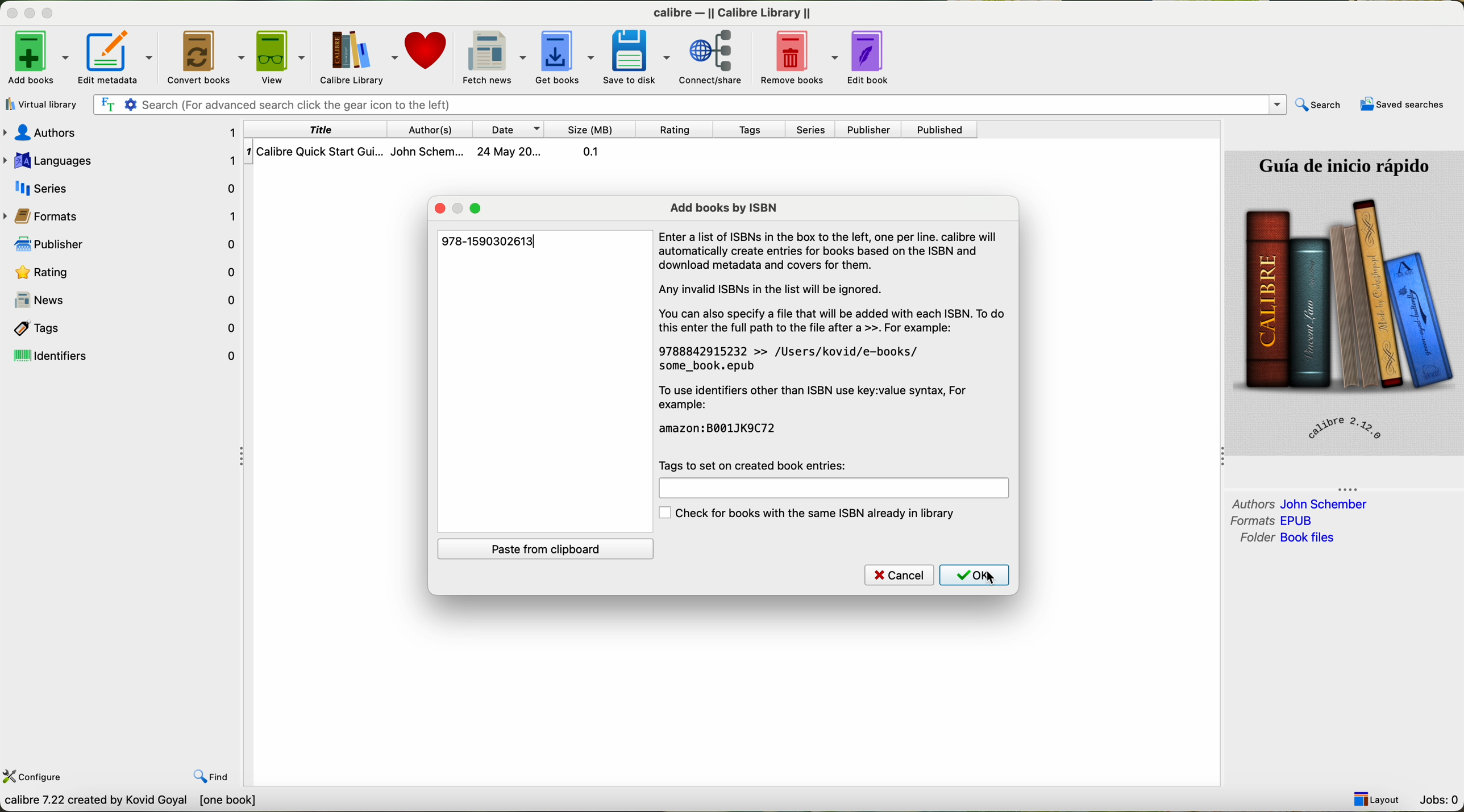 The image size is (1464, 812). What do you see at coordinates (135, 802) in the screenshot?
I see `Callibre 7.22 created by Kavid Goyal [0 books]` at bounding box center [135, 802].